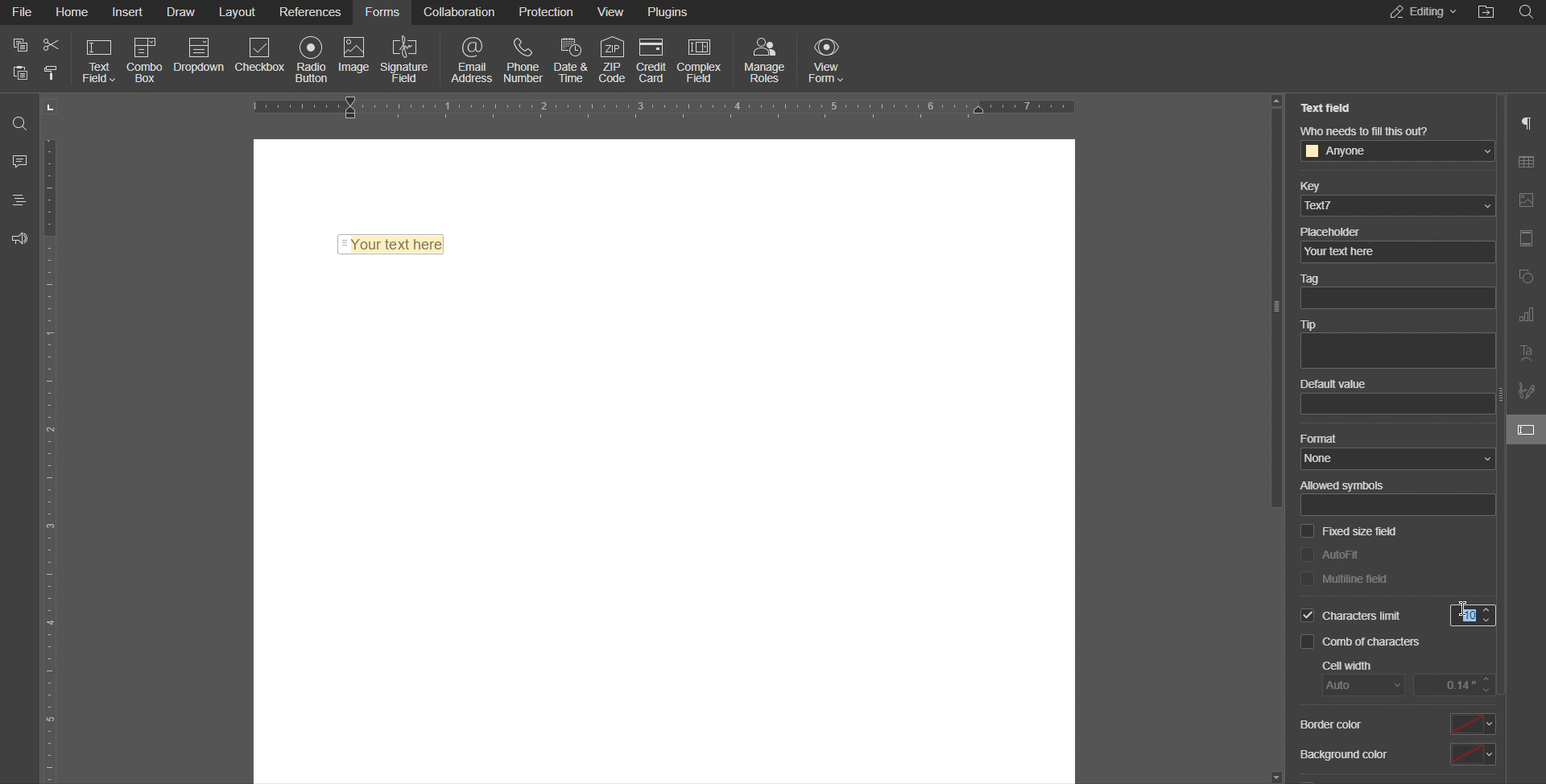 The height and width of the screenshot is (784, 1546). What do you see at coordinates (1349, 617) in the screenshot?
I see `Selected` at bounding box center [1349, 617].